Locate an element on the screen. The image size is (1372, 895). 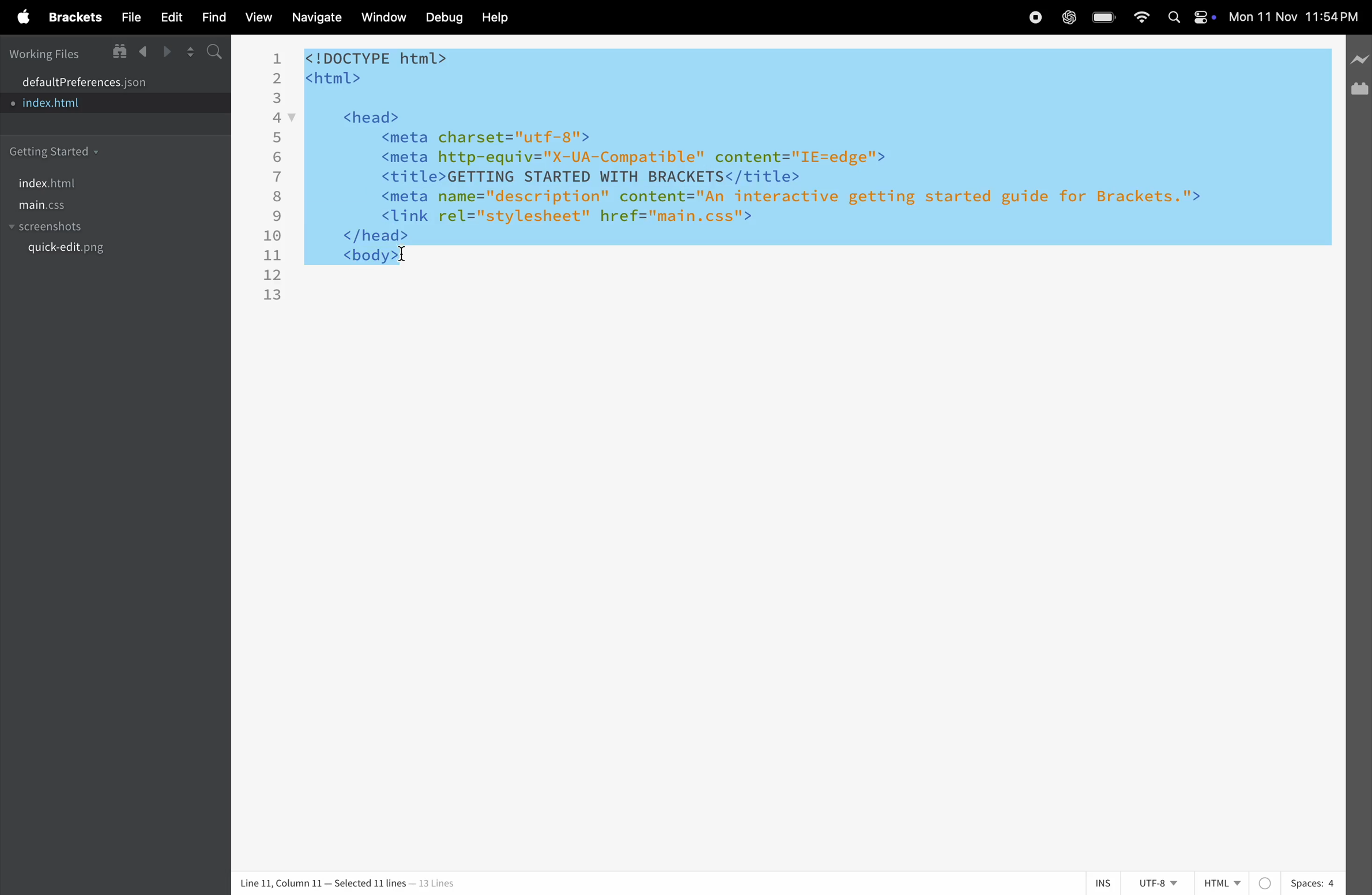
10 is located at coordinates (273, 236).